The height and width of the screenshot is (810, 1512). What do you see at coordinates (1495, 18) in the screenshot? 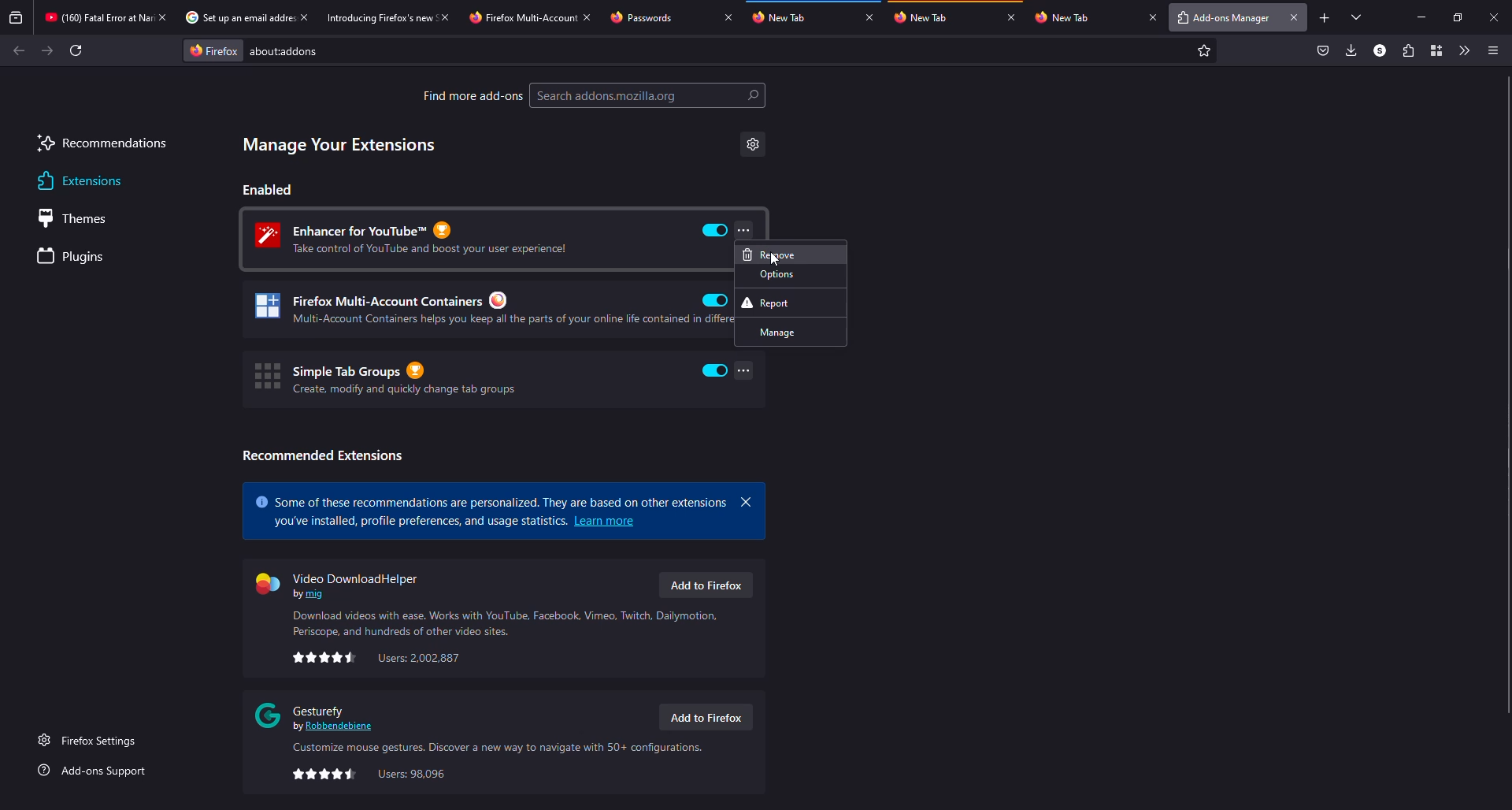
I see `close` at bounding box center [1495, 18].